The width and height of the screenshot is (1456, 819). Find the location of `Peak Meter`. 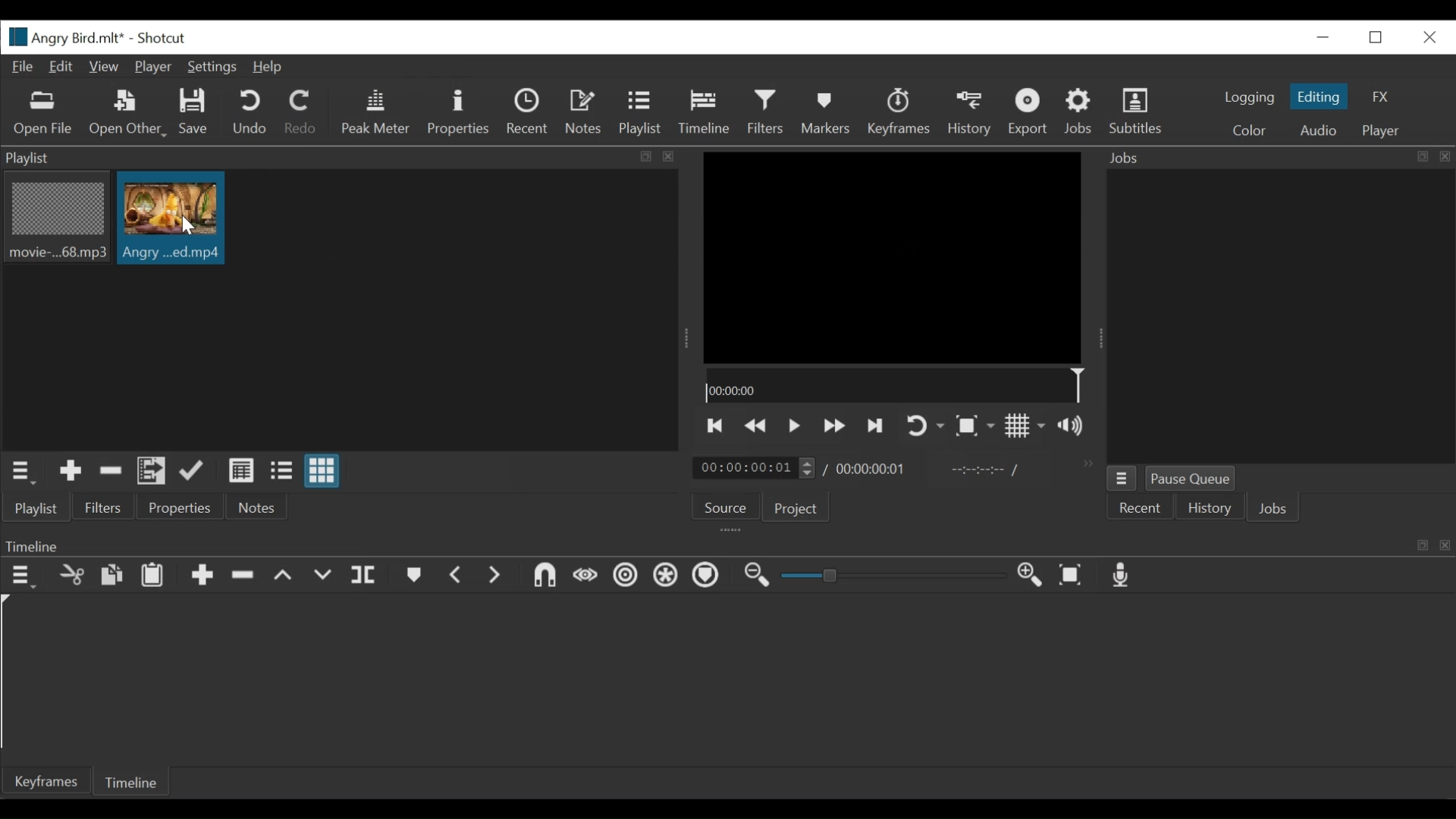

Peak Meter is located at coordinates (376, 112).